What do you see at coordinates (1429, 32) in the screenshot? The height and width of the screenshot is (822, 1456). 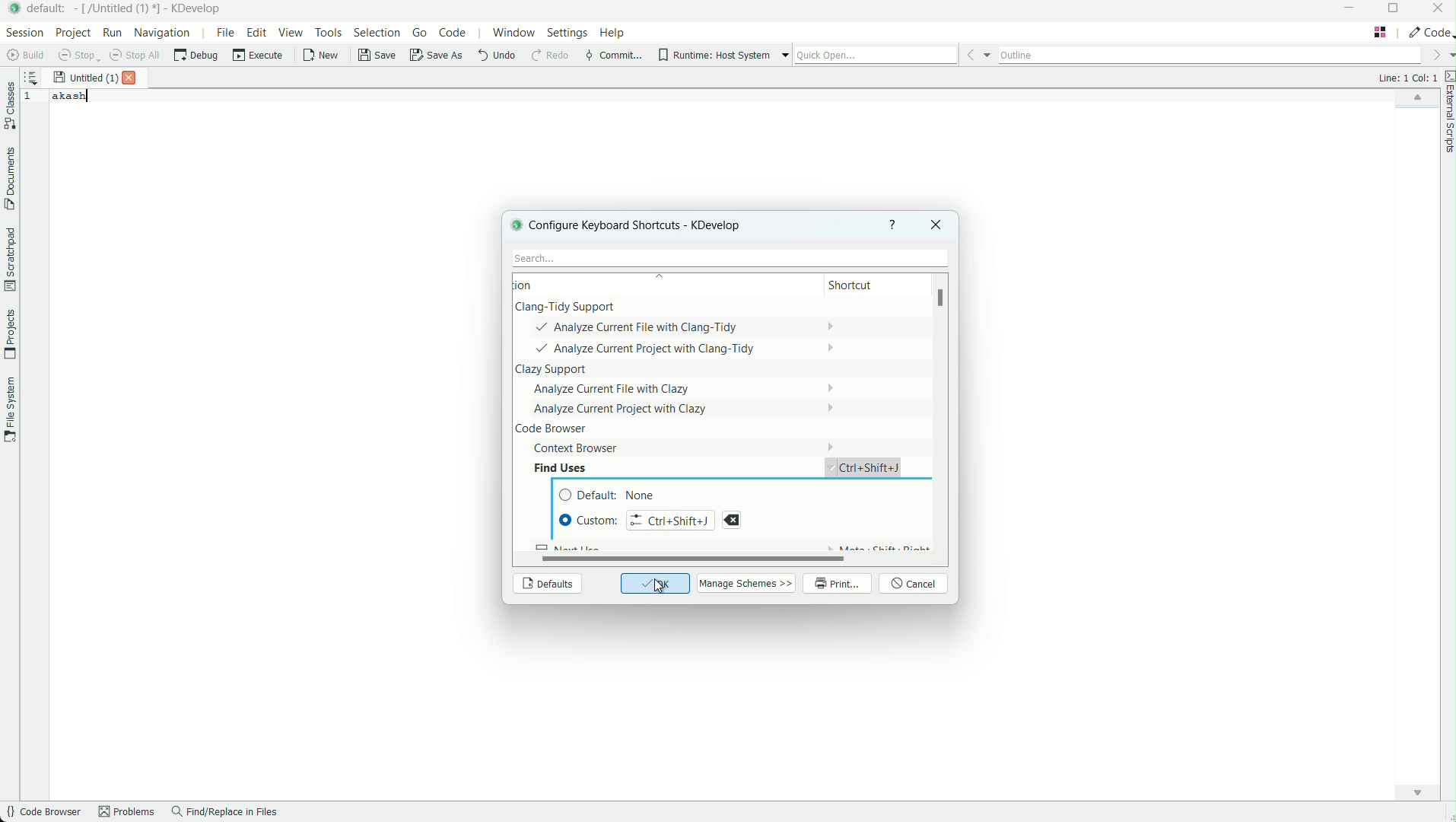 I see `execute actions to change the area` at bounding box center [1429, 32].